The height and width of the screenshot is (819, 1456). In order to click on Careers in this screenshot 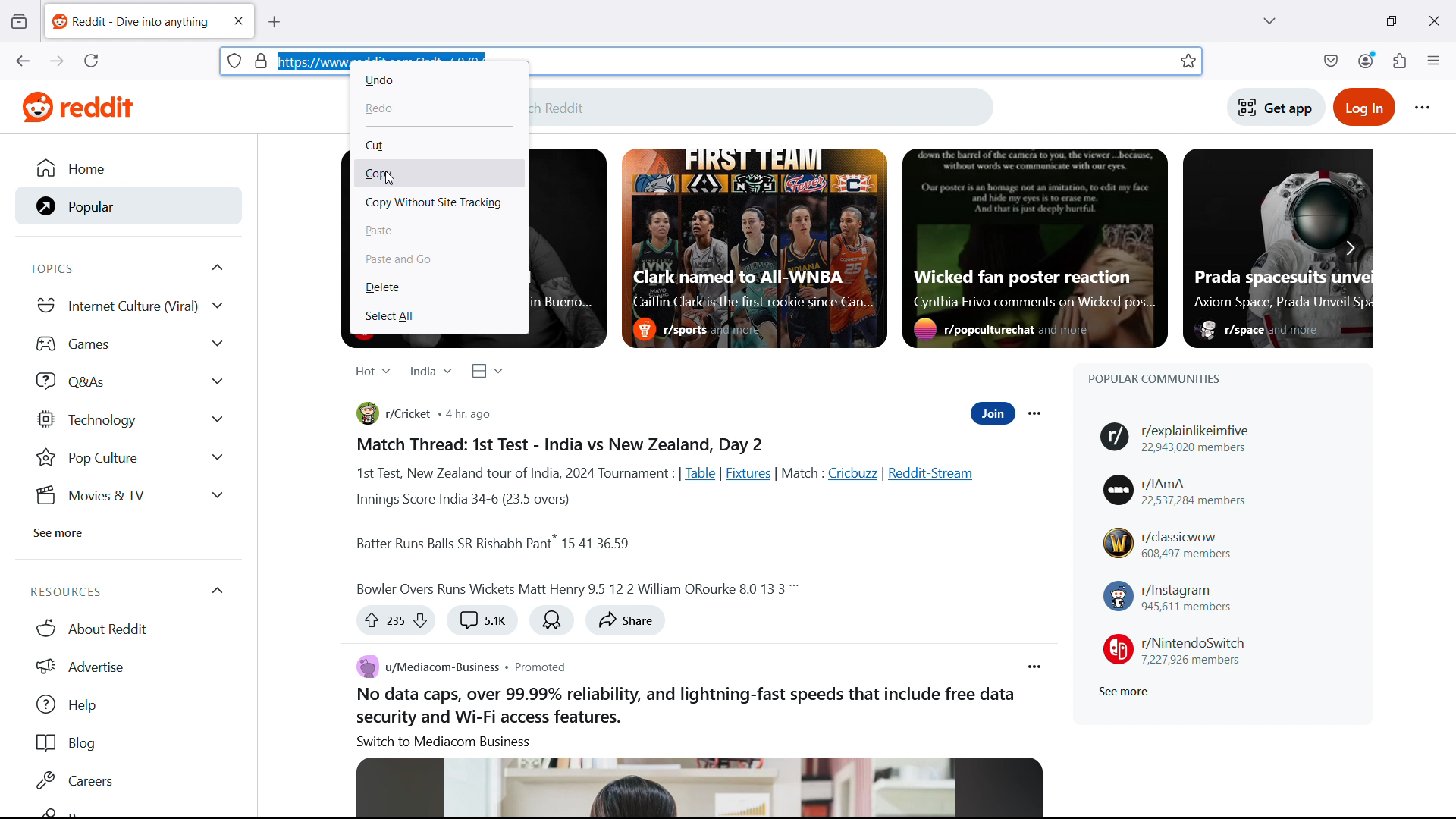, I will do `click(126, 781)`.